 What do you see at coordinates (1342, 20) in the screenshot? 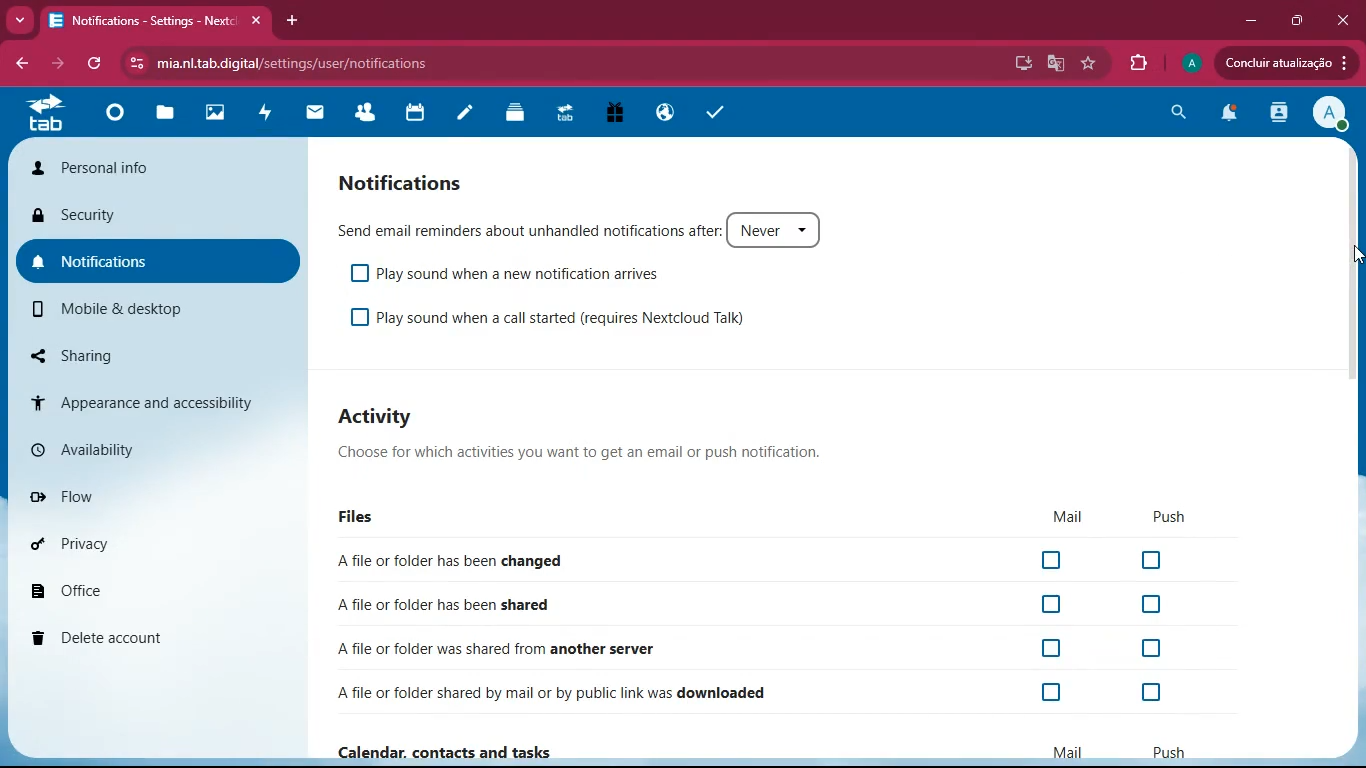
I see `Close` at bounding box center [1342, 20].